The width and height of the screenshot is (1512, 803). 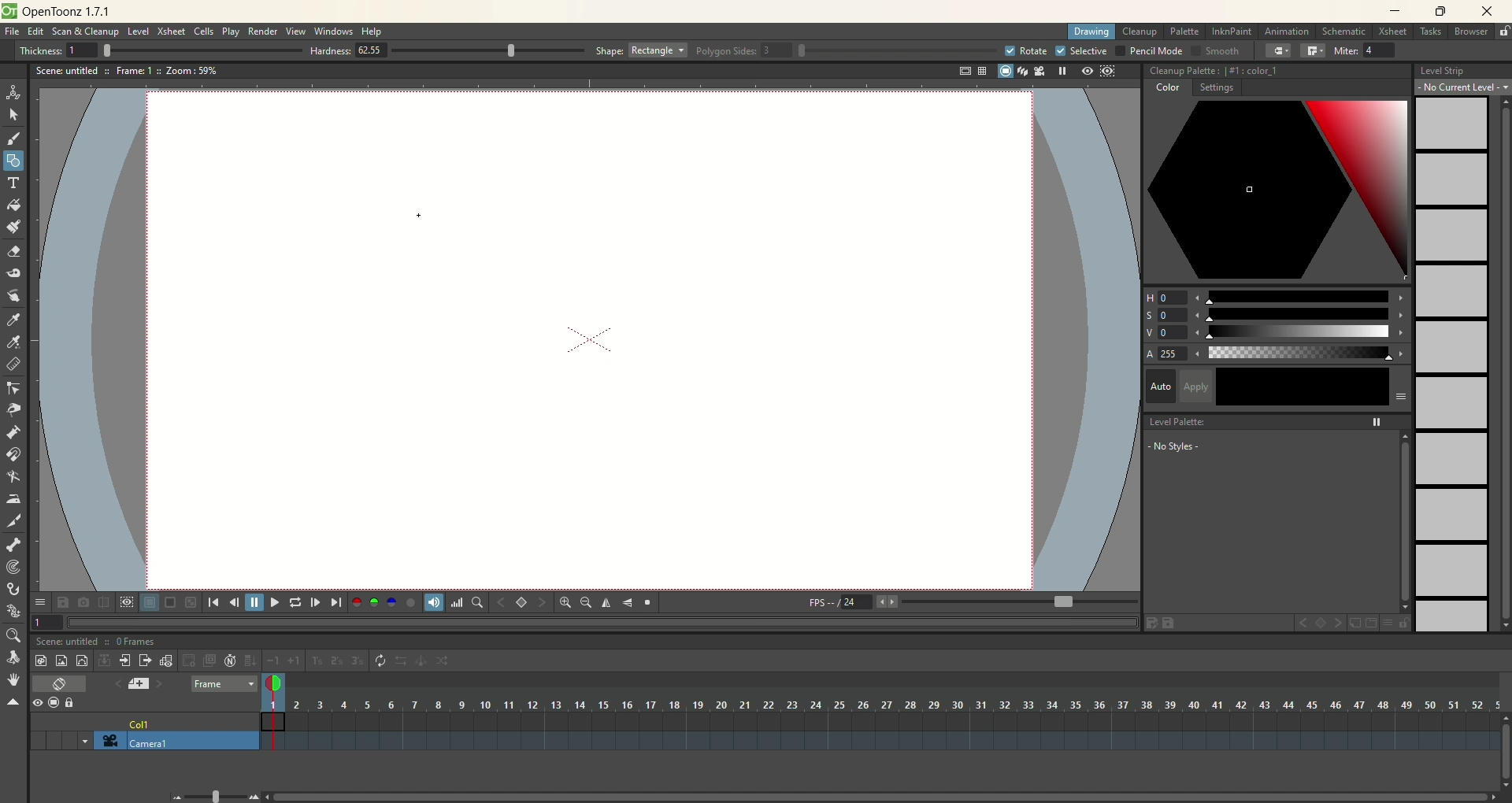 I want to click on zoom , so click(x=12, y=636).